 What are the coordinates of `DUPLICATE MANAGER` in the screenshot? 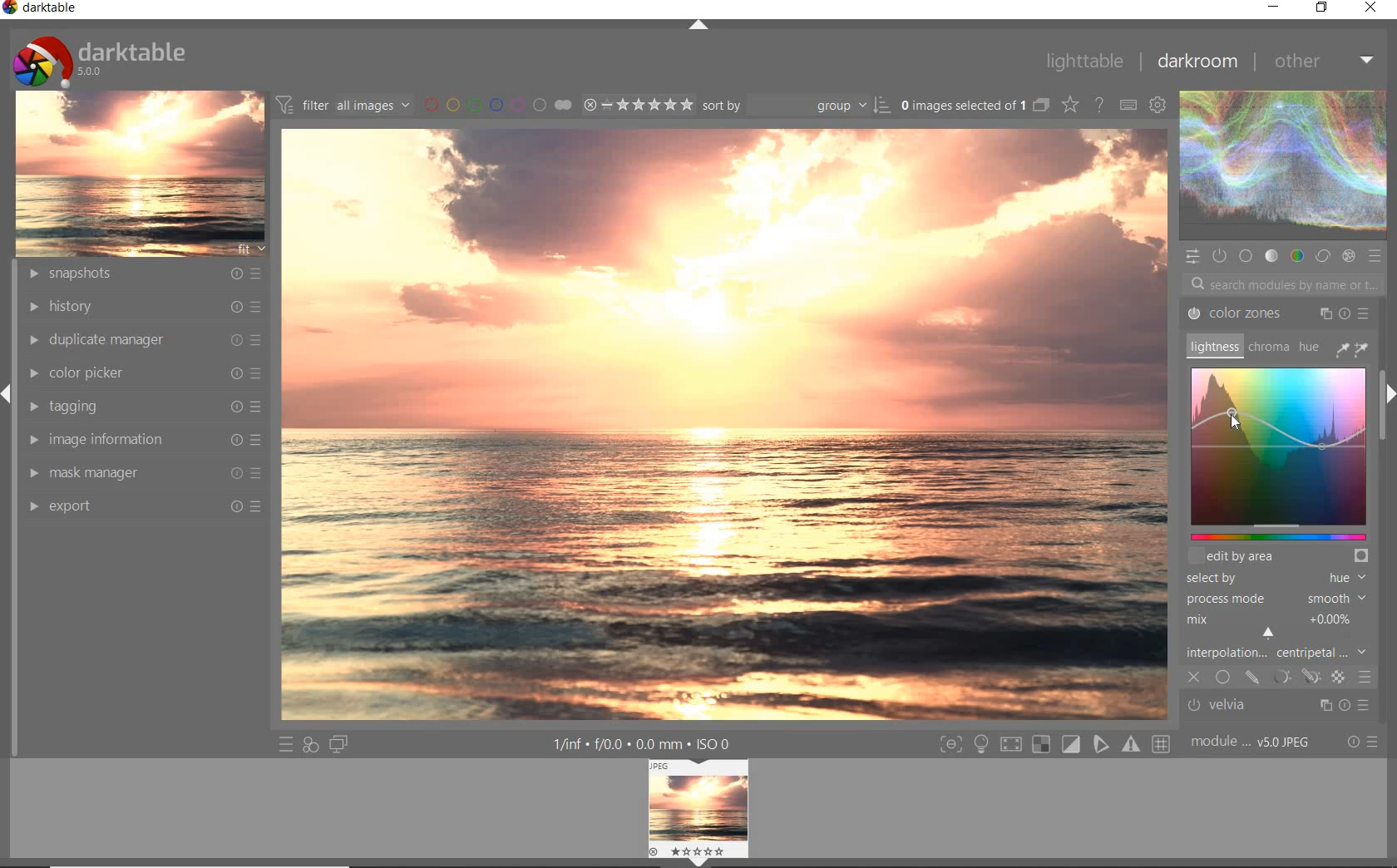 It's located at (141, 338).